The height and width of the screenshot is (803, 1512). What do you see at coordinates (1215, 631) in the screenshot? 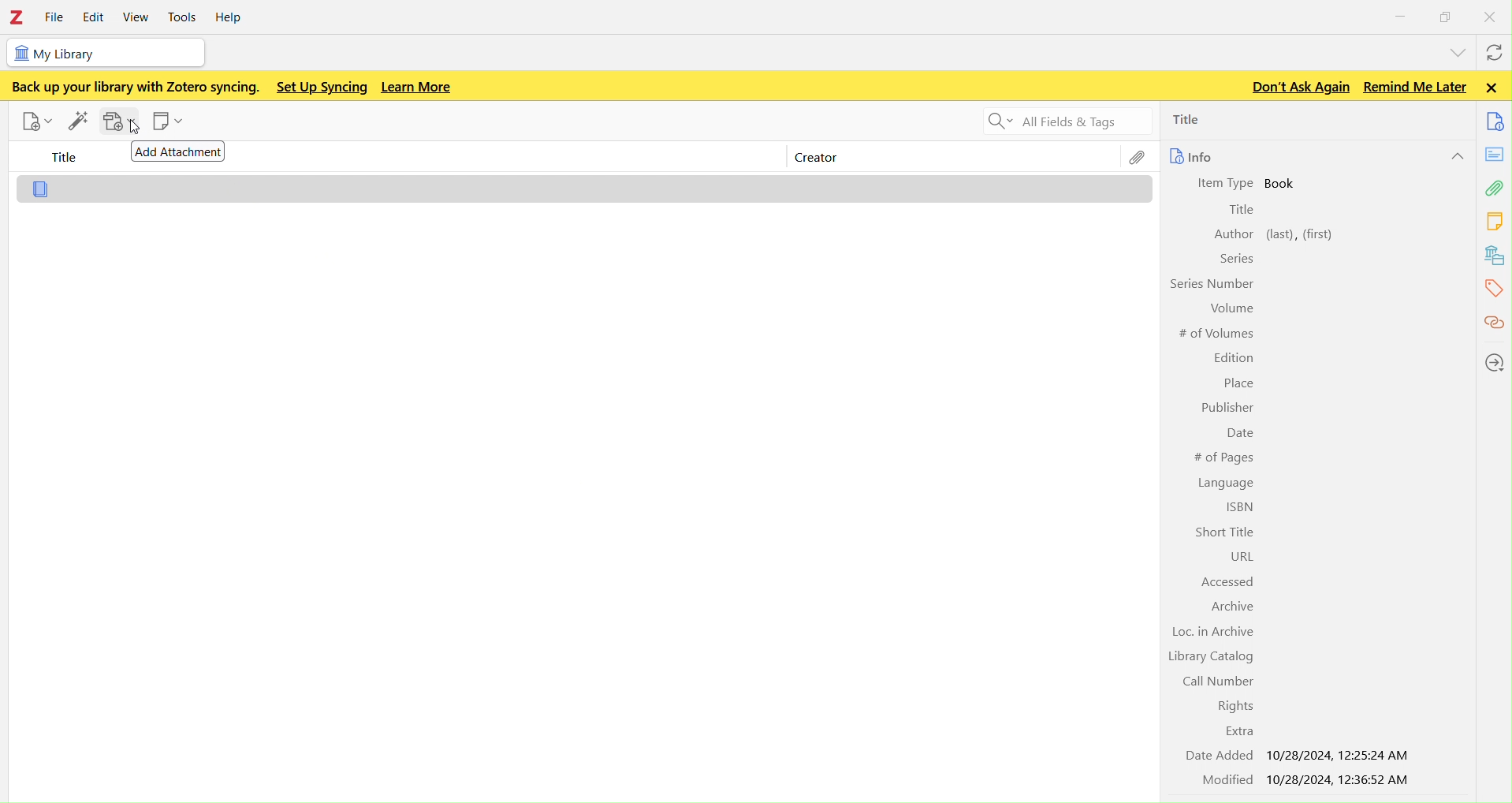
I see `Loc. in Archive` at bounding box center [1215, 631].